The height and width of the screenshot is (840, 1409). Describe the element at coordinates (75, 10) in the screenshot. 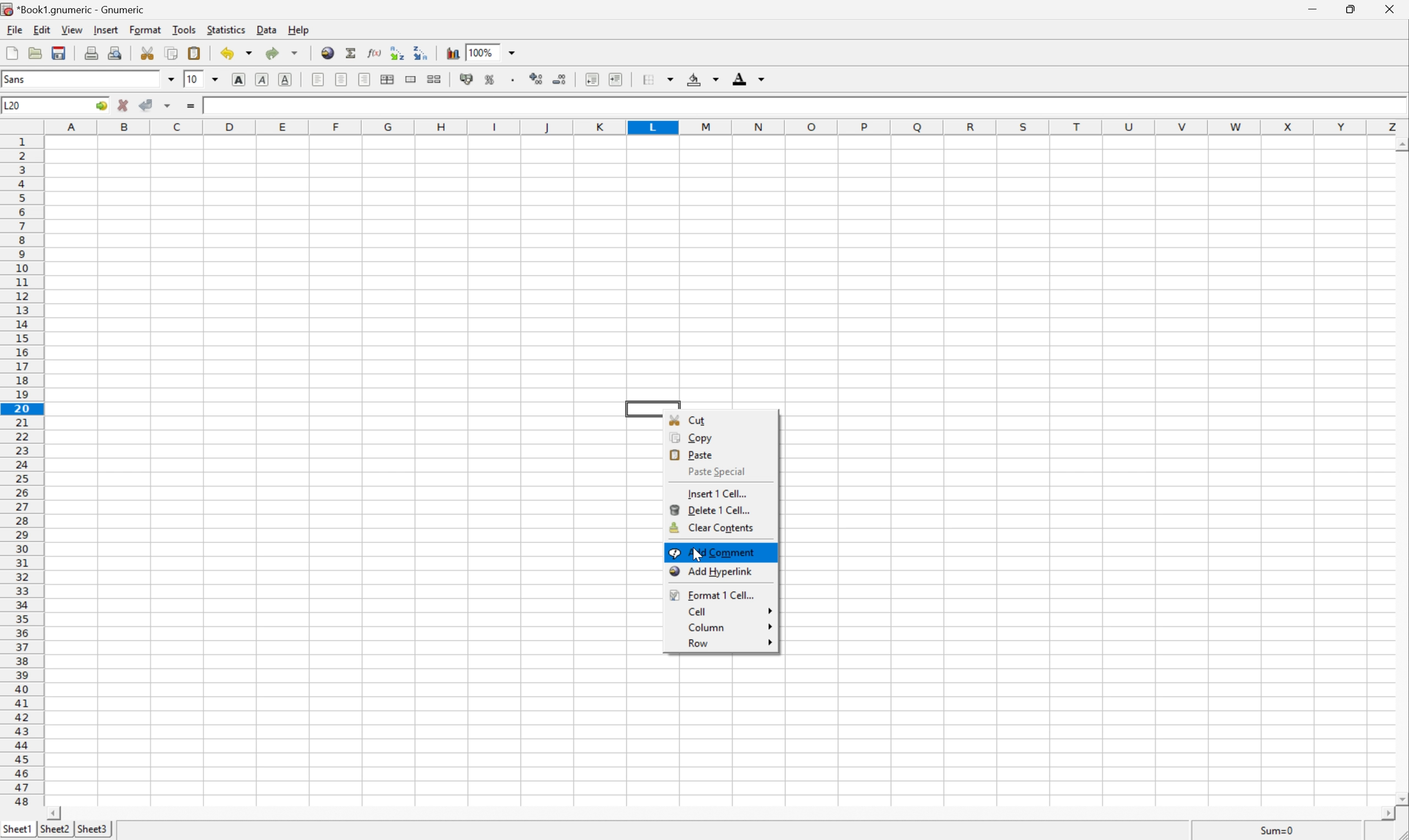

I see `*Book1.gnumeric - Gnumeric` at that location.